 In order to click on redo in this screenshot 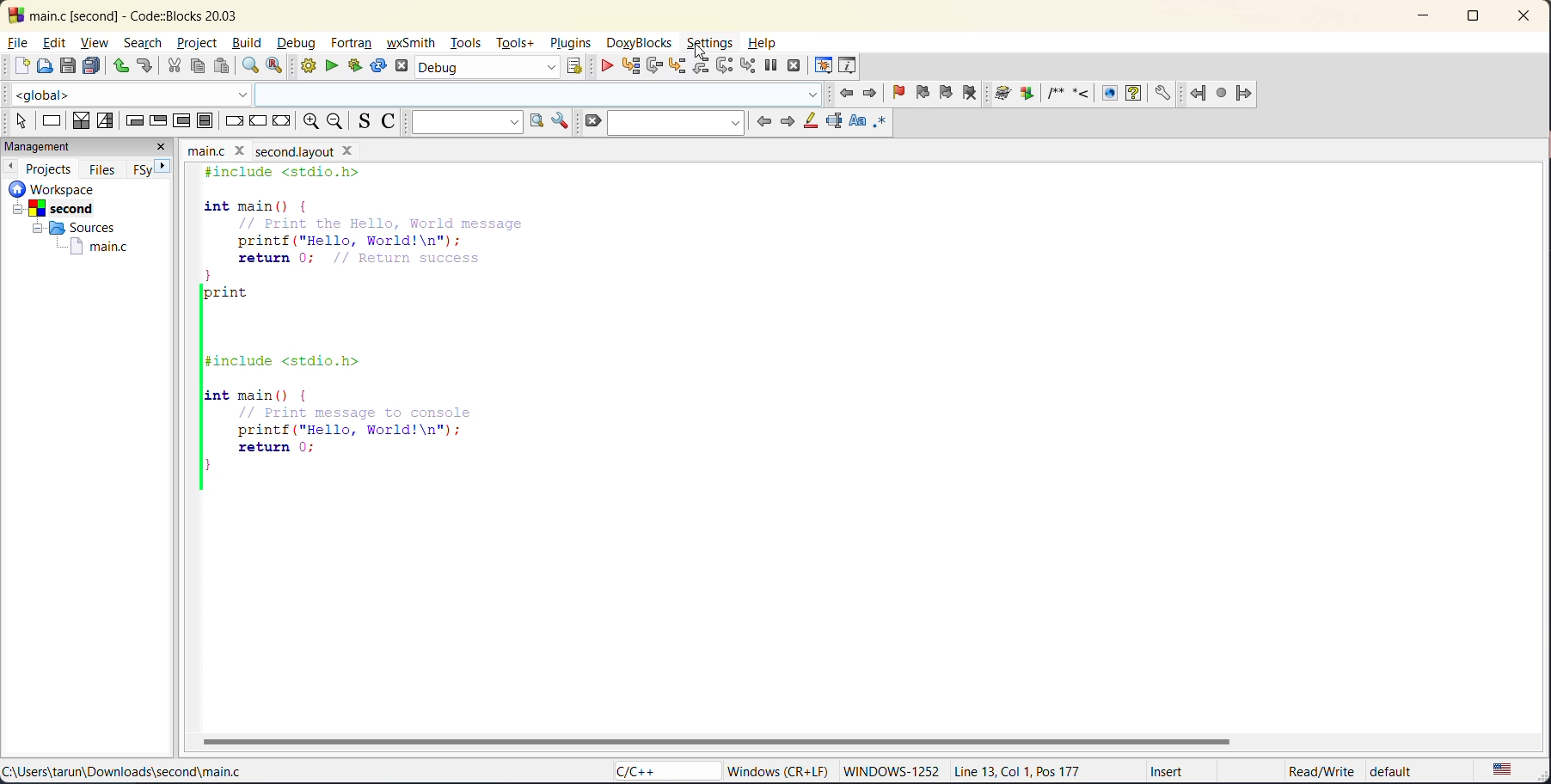, I will do `click(148, 68)`.